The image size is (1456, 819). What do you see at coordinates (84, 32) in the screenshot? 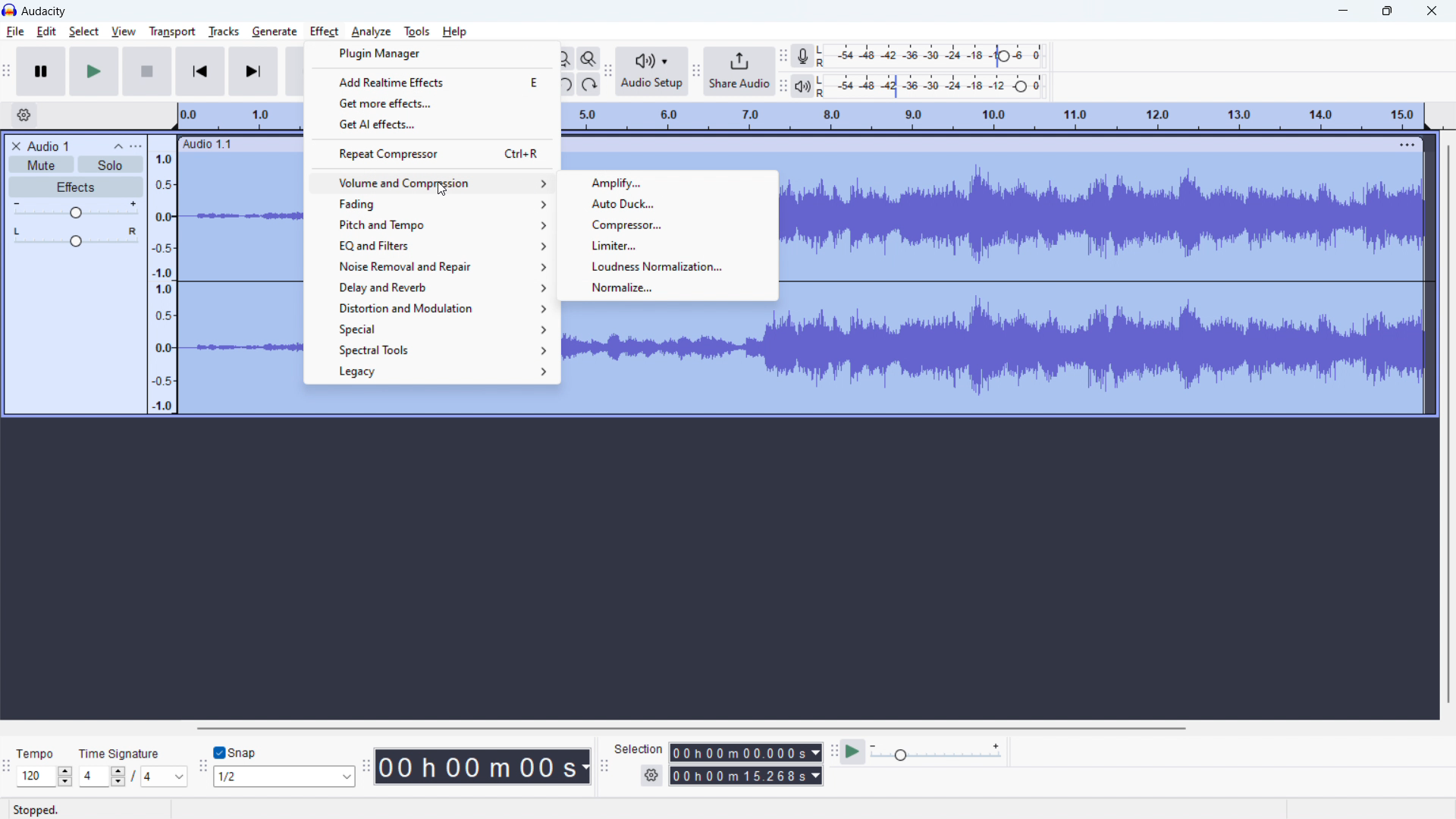
I see `select` at bounding box center [84, 32].